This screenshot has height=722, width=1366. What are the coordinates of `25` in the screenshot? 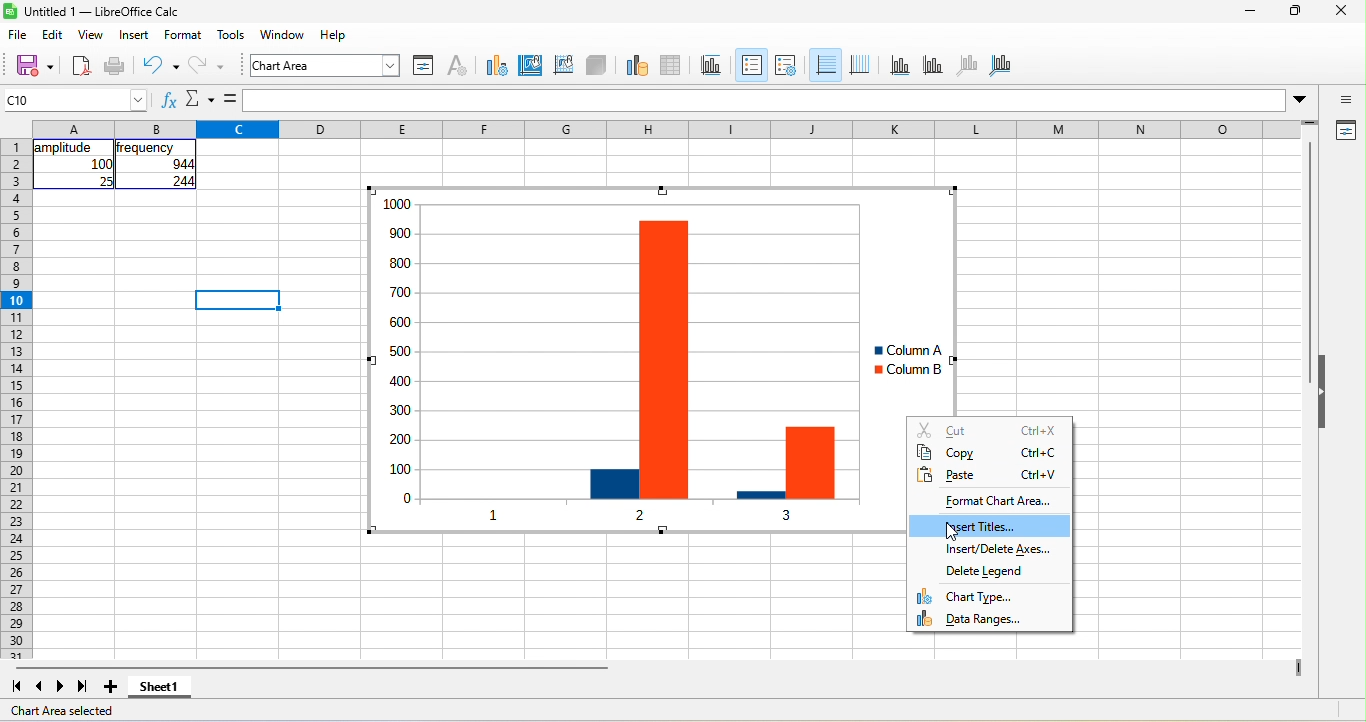 It's located at (105, 181).